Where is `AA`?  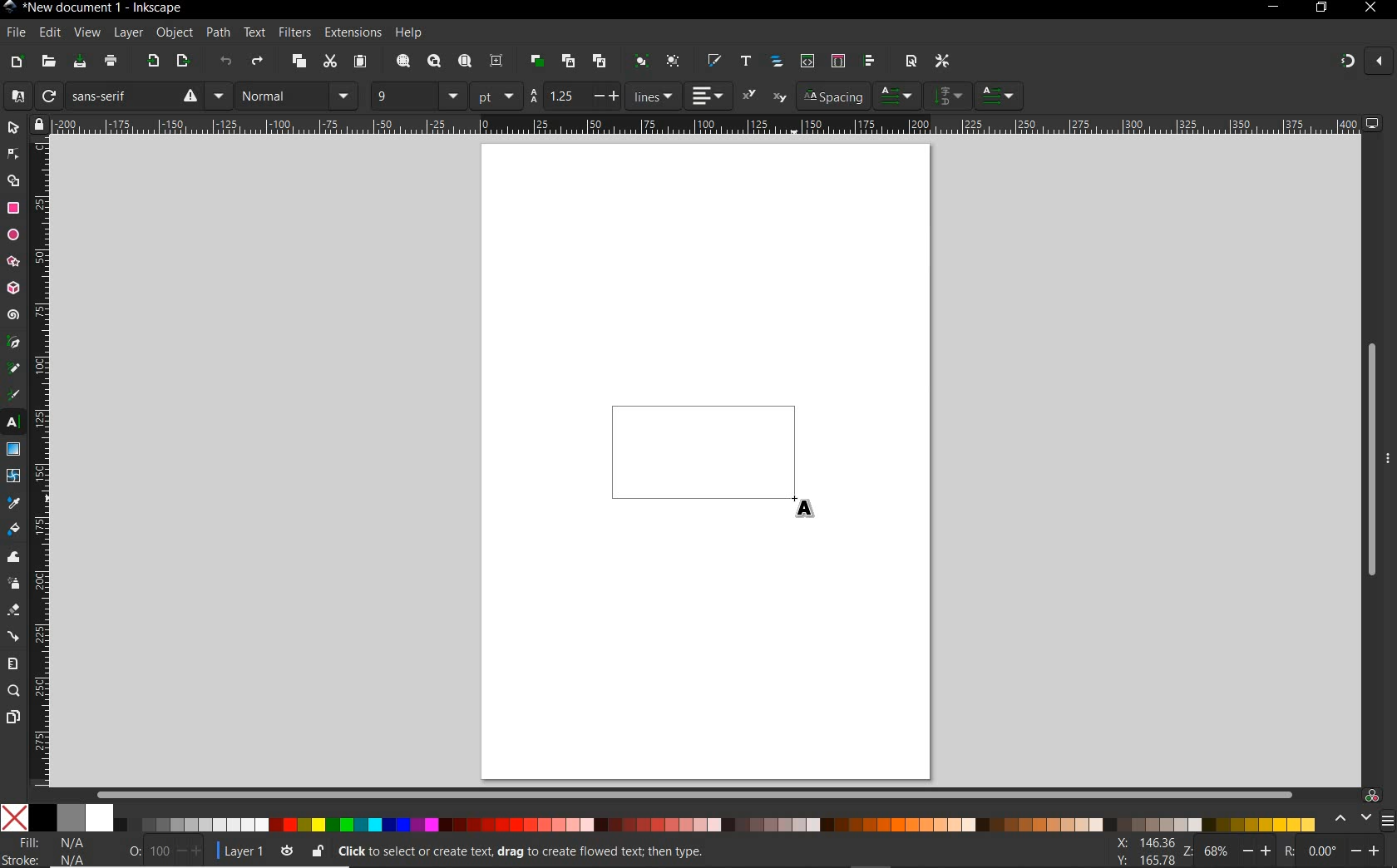
AA is located at coordinates (533, 96).